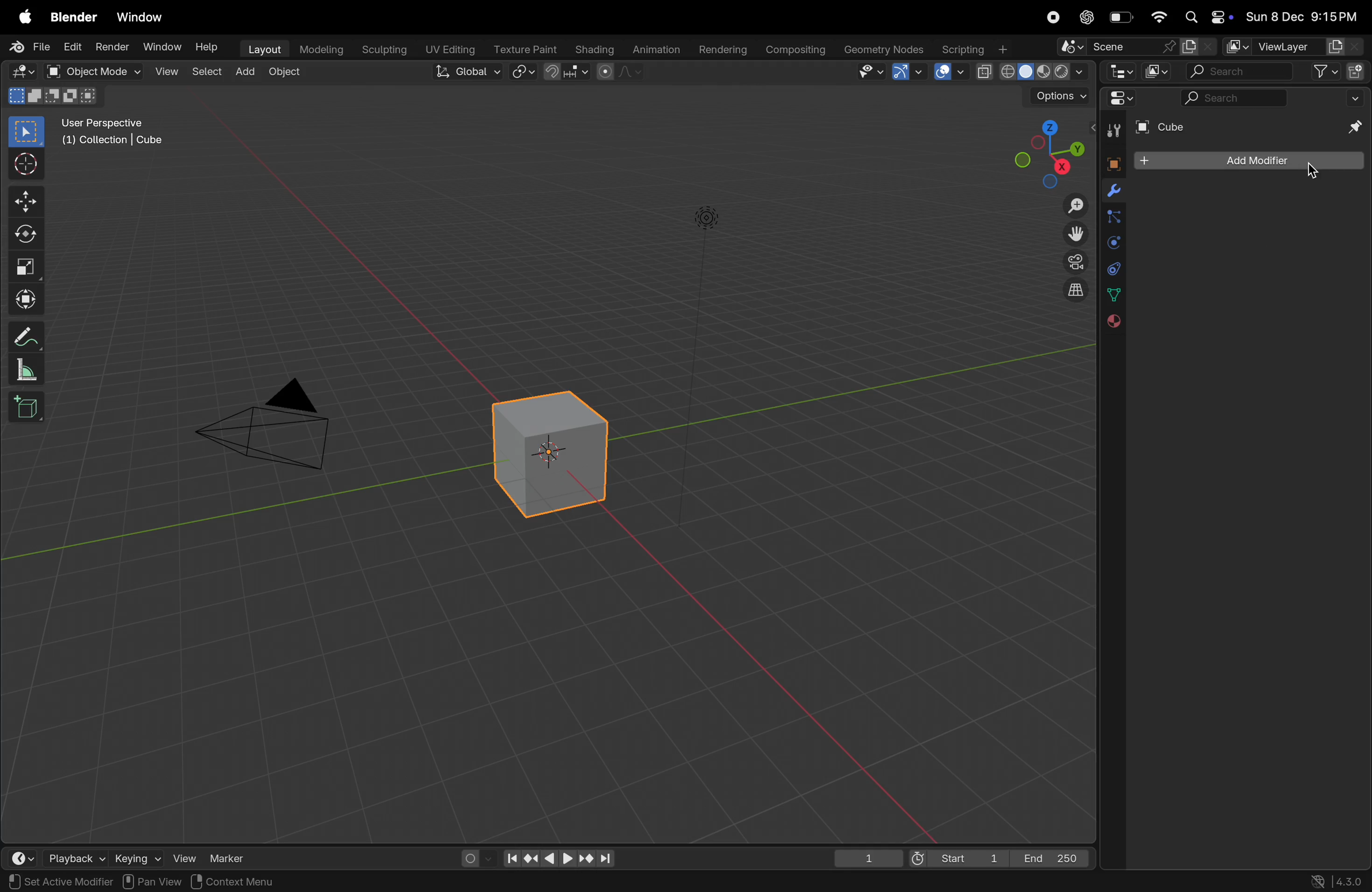 The height and width of the screenshot is (892, 1372). I want to click on modes, so click(52, 96).